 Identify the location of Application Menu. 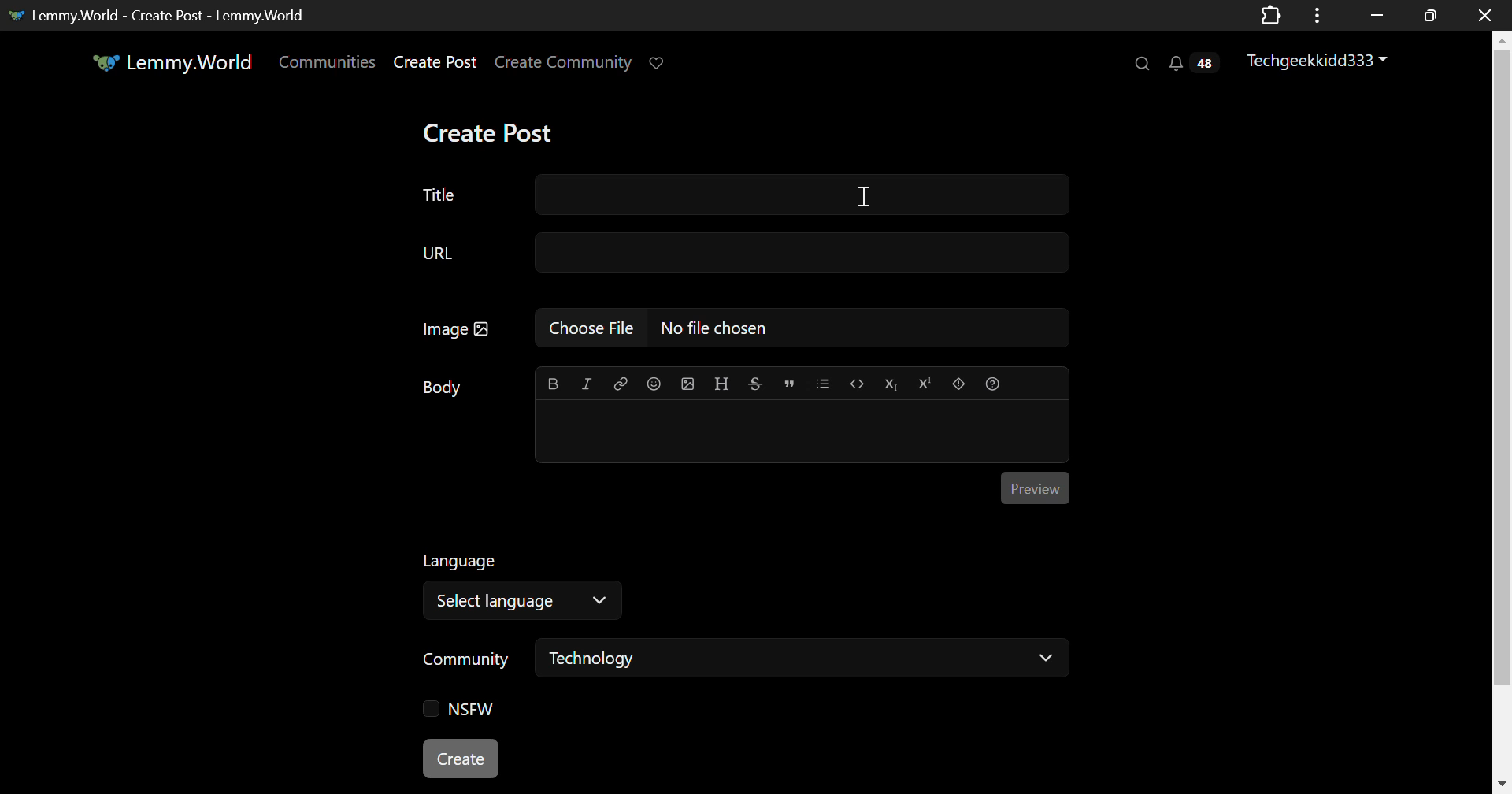
(1319, 15).